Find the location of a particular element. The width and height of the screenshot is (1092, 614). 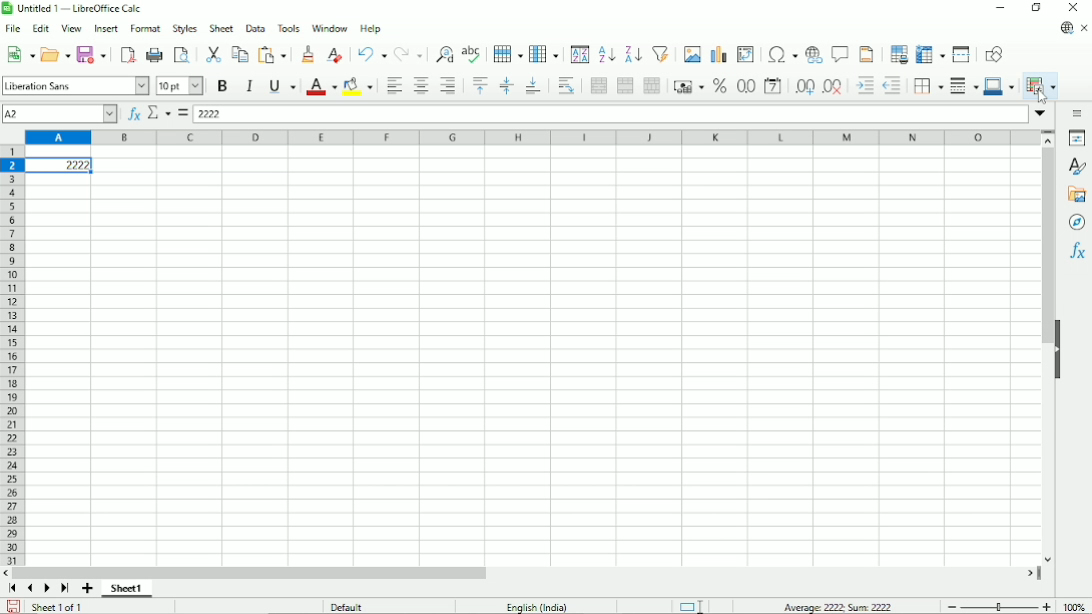

Wrap text is located at coordinates (567, 86).